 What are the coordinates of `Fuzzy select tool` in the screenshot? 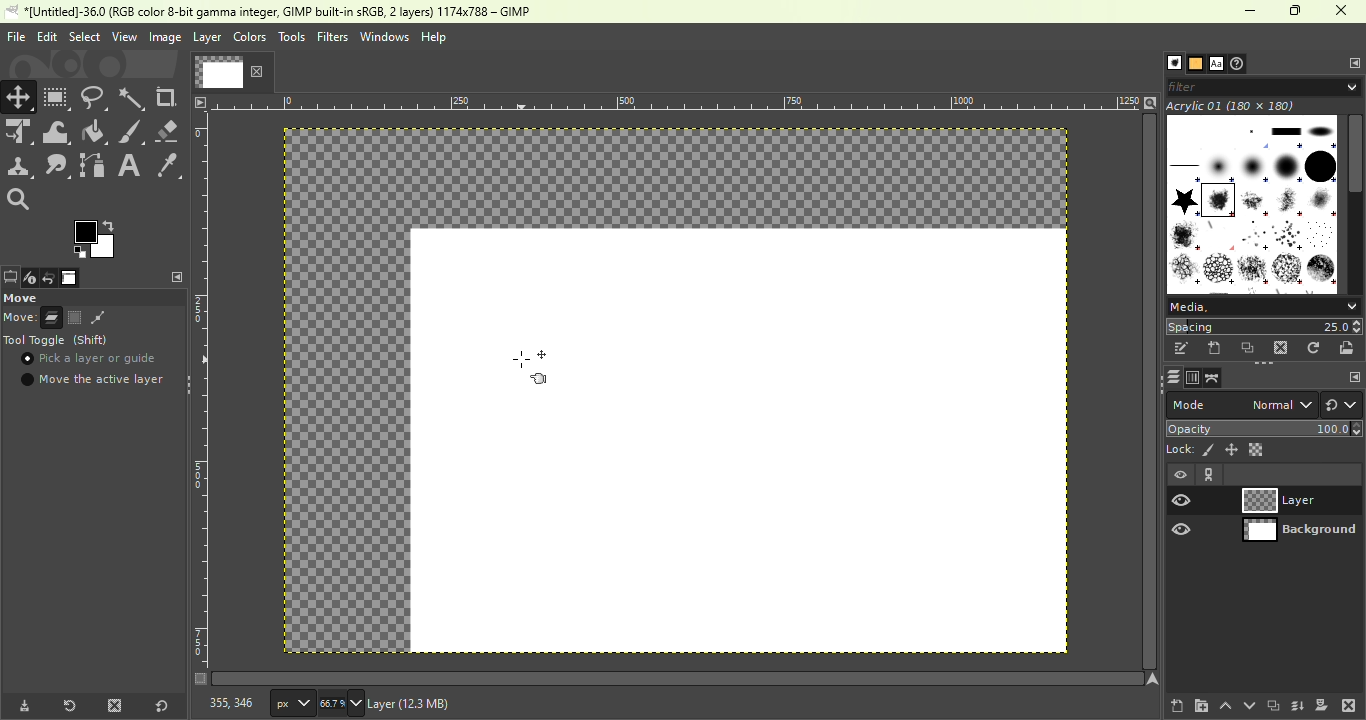 It's located at (134, 97).